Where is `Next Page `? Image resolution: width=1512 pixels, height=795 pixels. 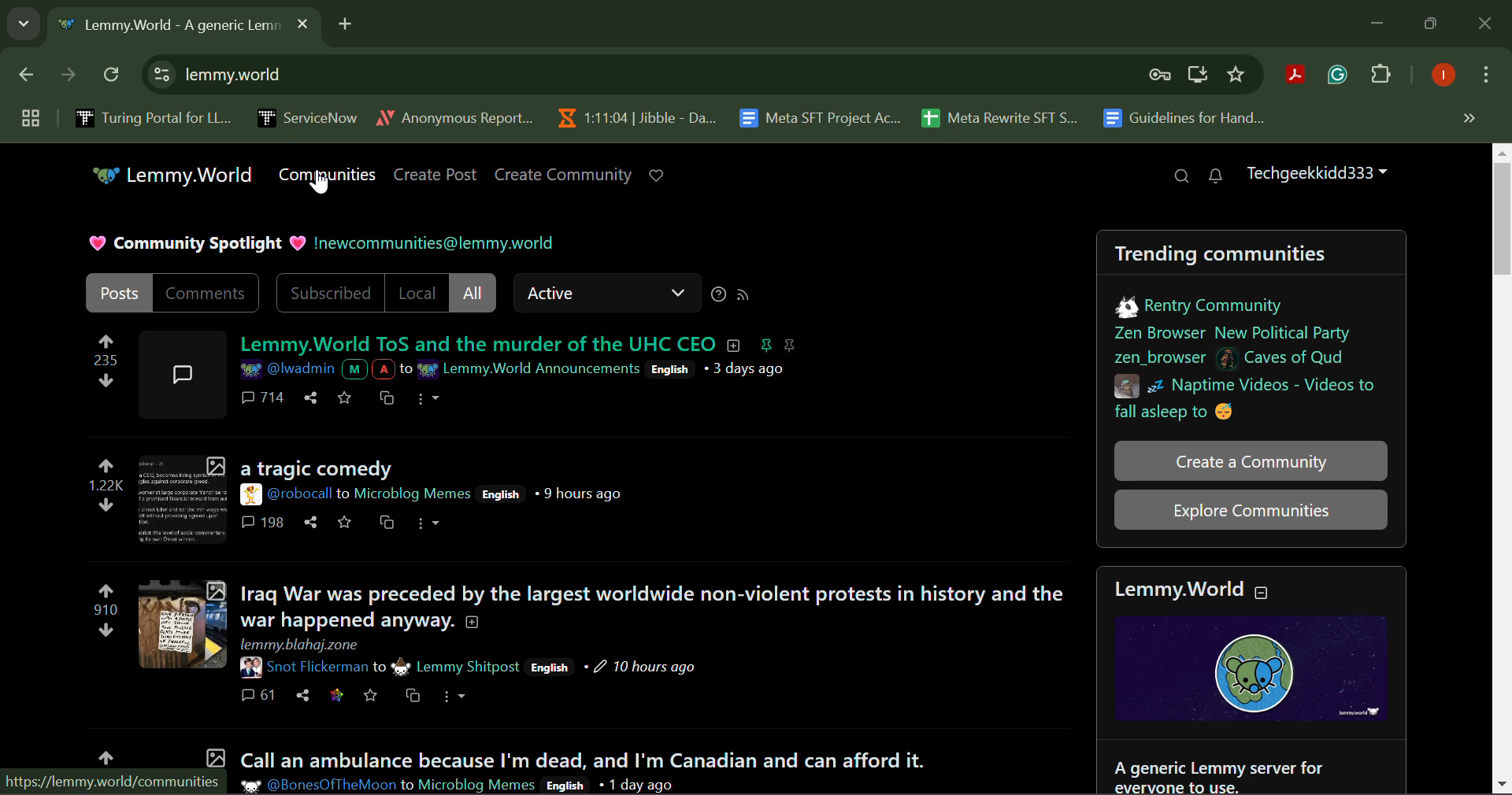 Next Page  is located at coordinates (66, 79).